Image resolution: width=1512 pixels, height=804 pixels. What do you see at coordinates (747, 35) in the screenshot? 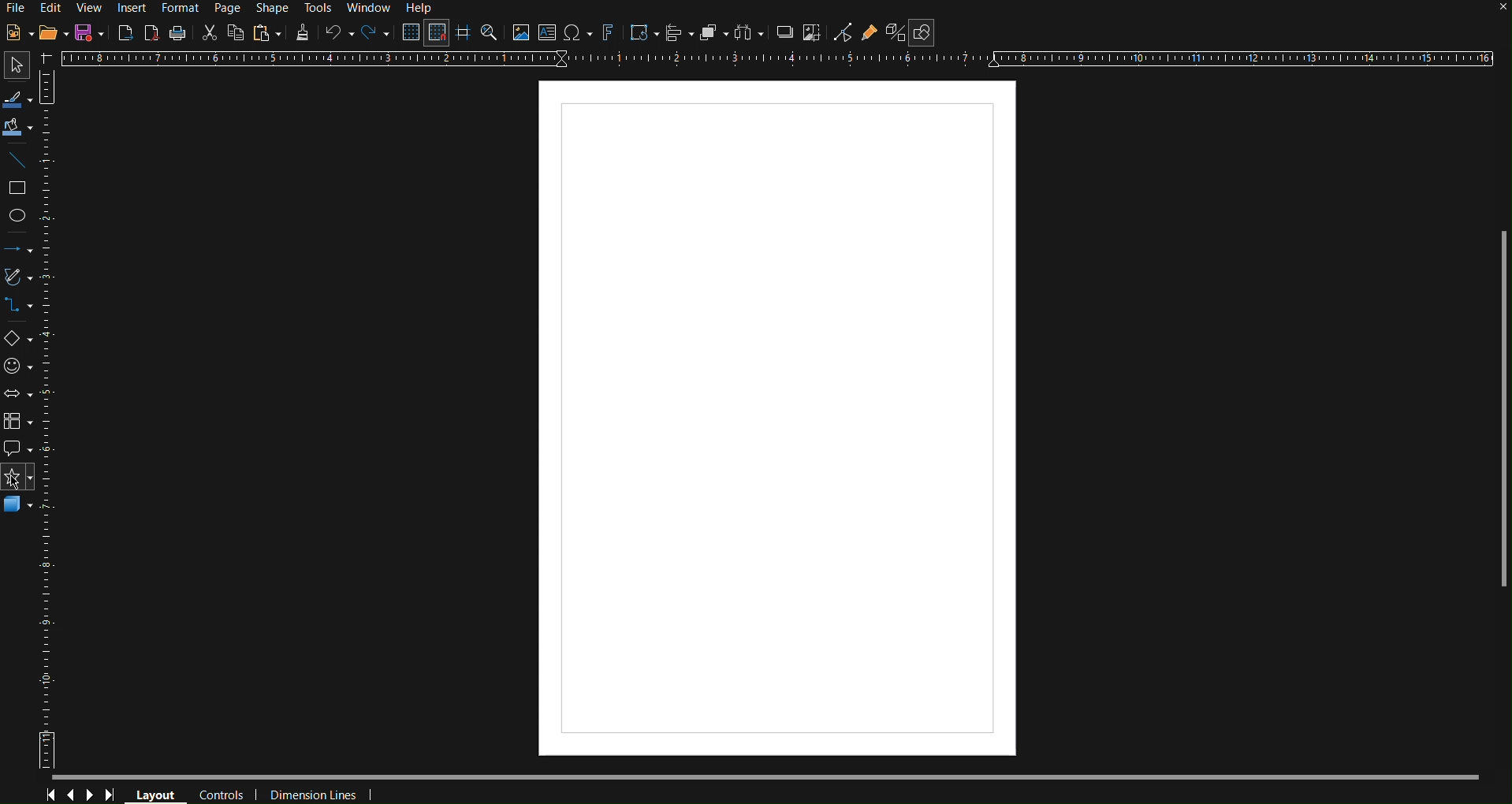
I see `Distribute Objects` at bounding box center [747, 35].